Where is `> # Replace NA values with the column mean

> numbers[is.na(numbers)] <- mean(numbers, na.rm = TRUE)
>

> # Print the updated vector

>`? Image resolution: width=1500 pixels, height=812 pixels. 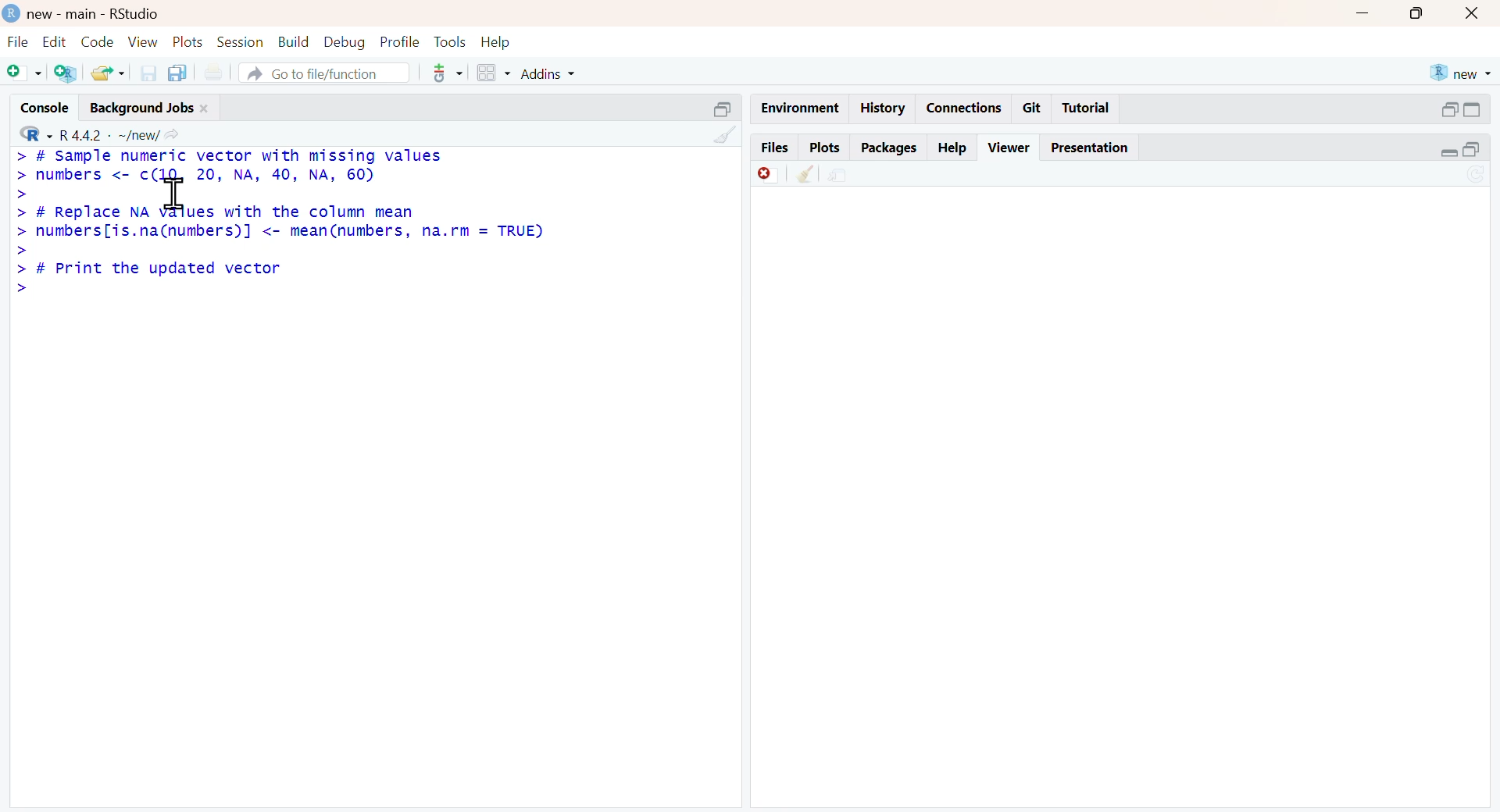 > # Replace NA values with the column mean

> numbers[is.na(numbers)] <- mean(numbers, na.rm = TRUE)
>

> # Print the updated vector

> is located at coordinates (281, 251).